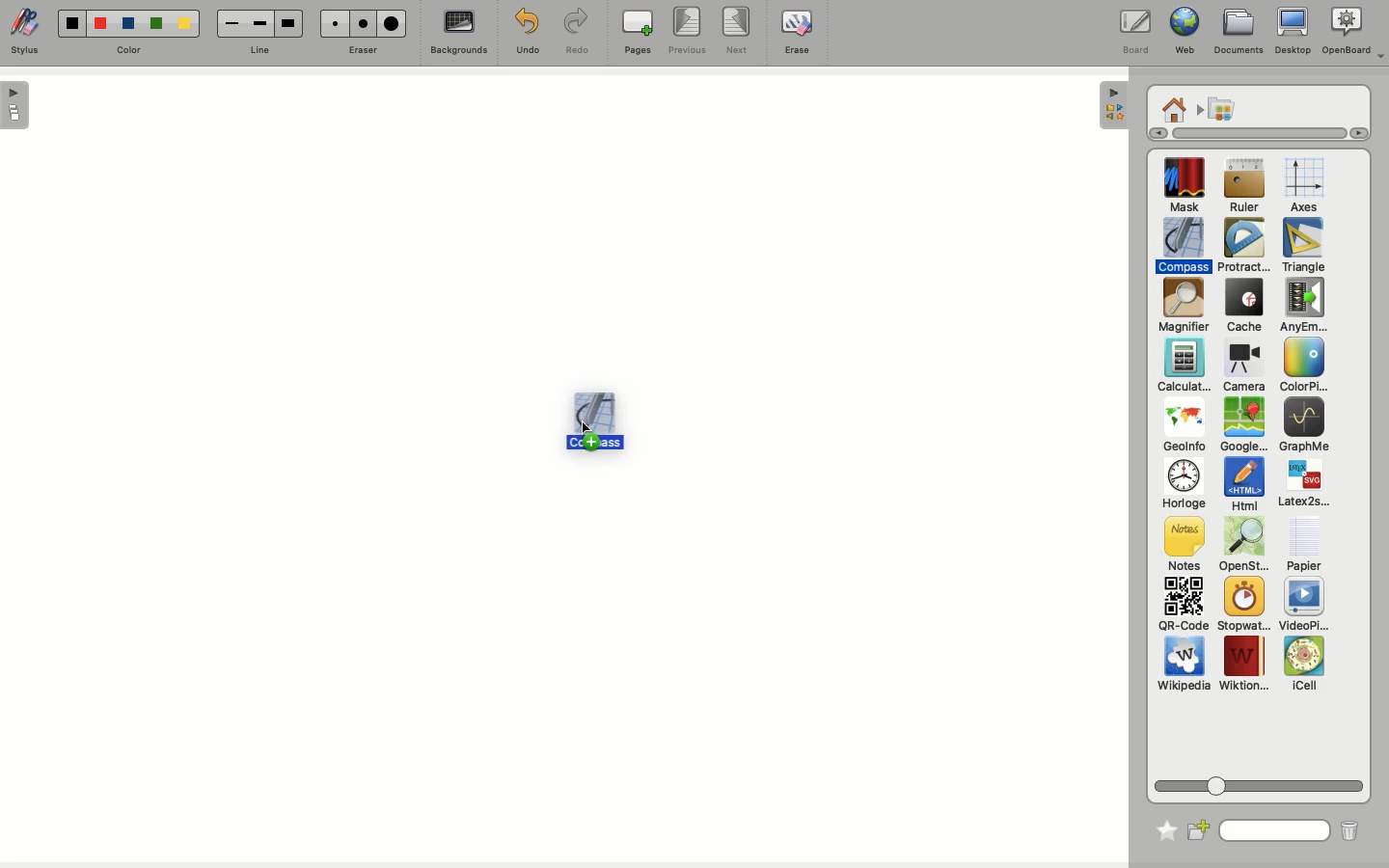  I want to click on VideoPlayer, so click(1304, 605).